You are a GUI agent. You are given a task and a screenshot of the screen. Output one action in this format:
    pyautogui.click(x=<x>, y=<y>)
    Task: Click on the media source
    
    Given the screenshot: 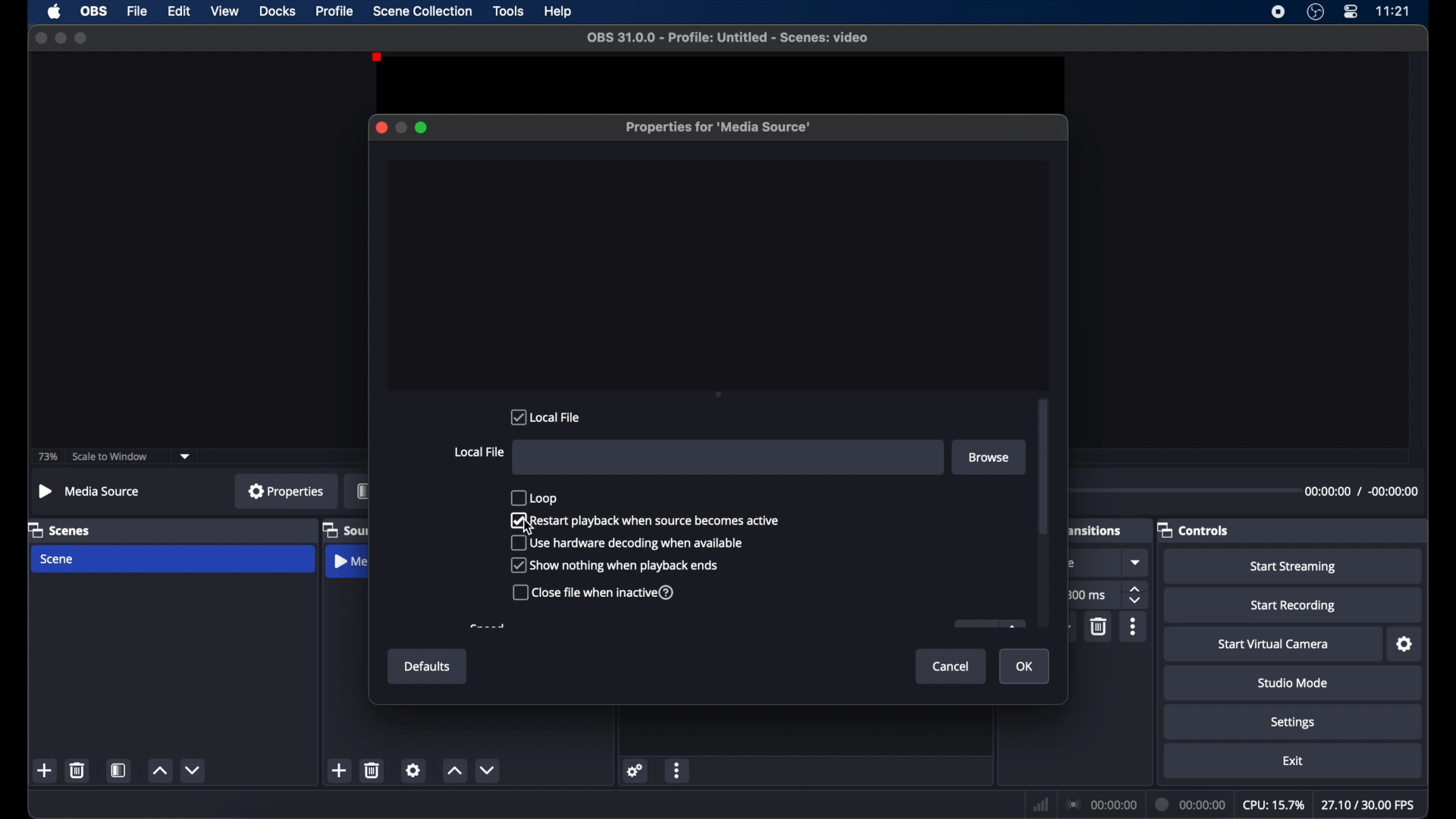 What is the action you would take?
    pyautogui.click(x=350, y=561)
    